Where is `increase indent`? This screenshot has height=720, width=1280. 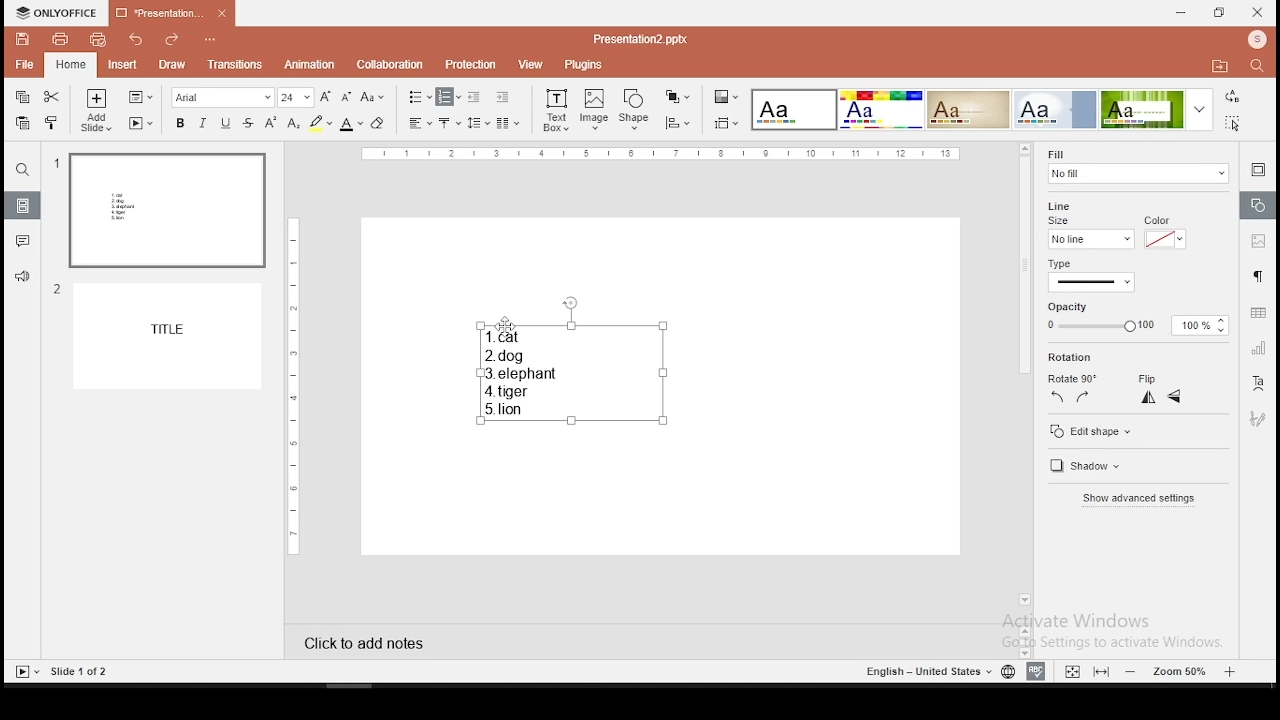
increase indent is located at coordinates (503, 96).